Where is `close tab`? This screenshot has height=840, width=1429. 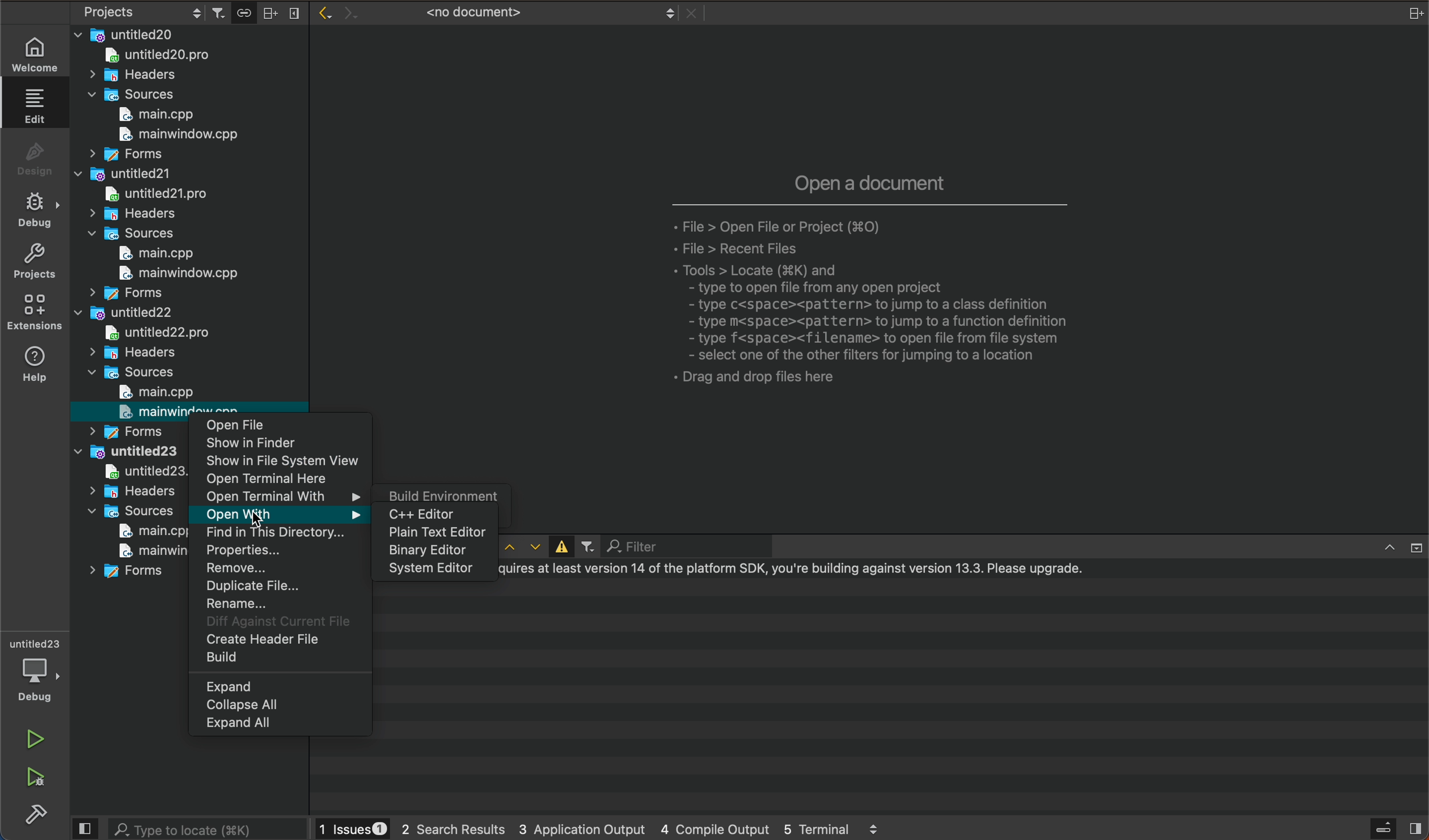
close tab is located at coordinates (692, 14).